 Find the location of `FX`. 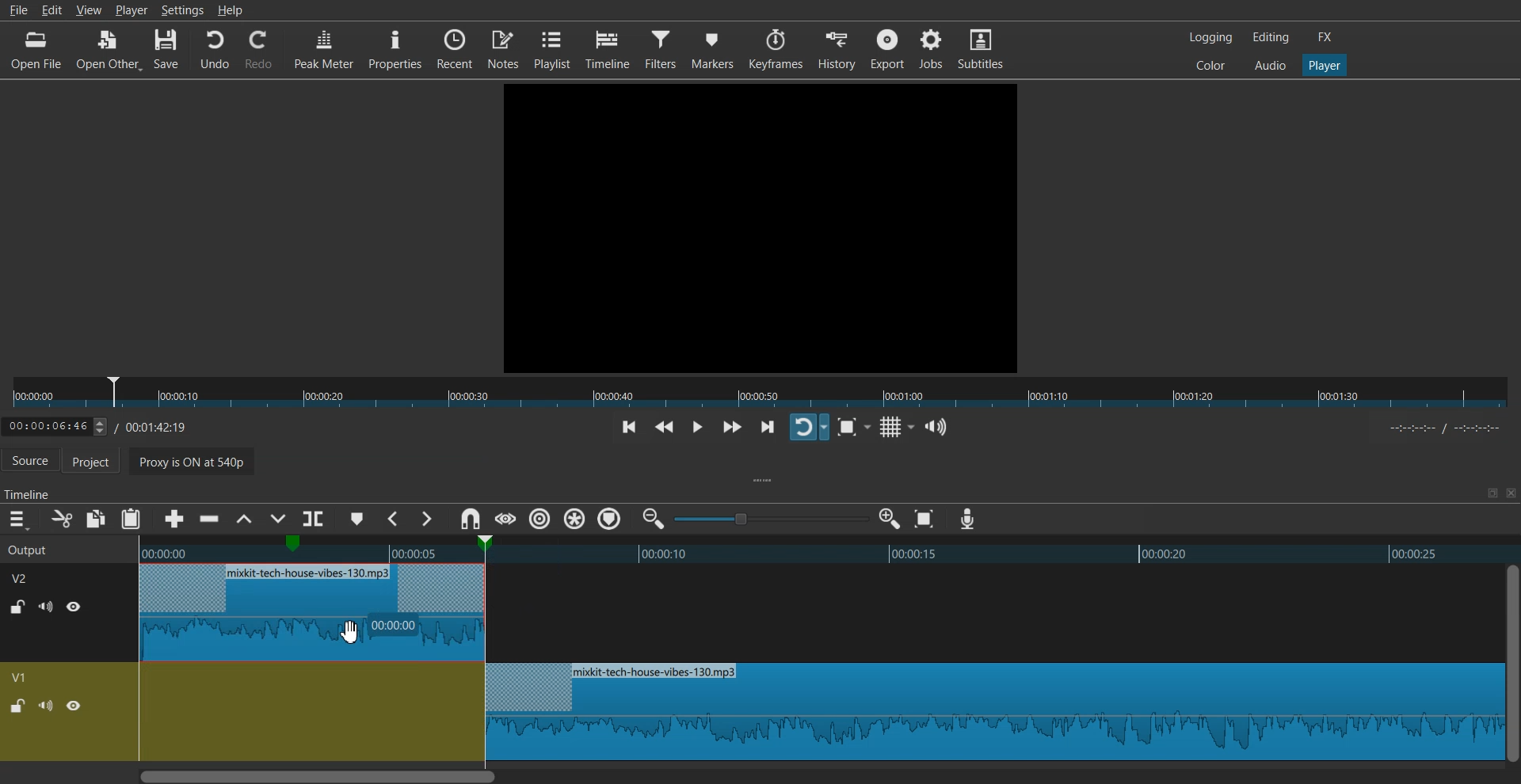

FX is located at coordinates (1325, 37).